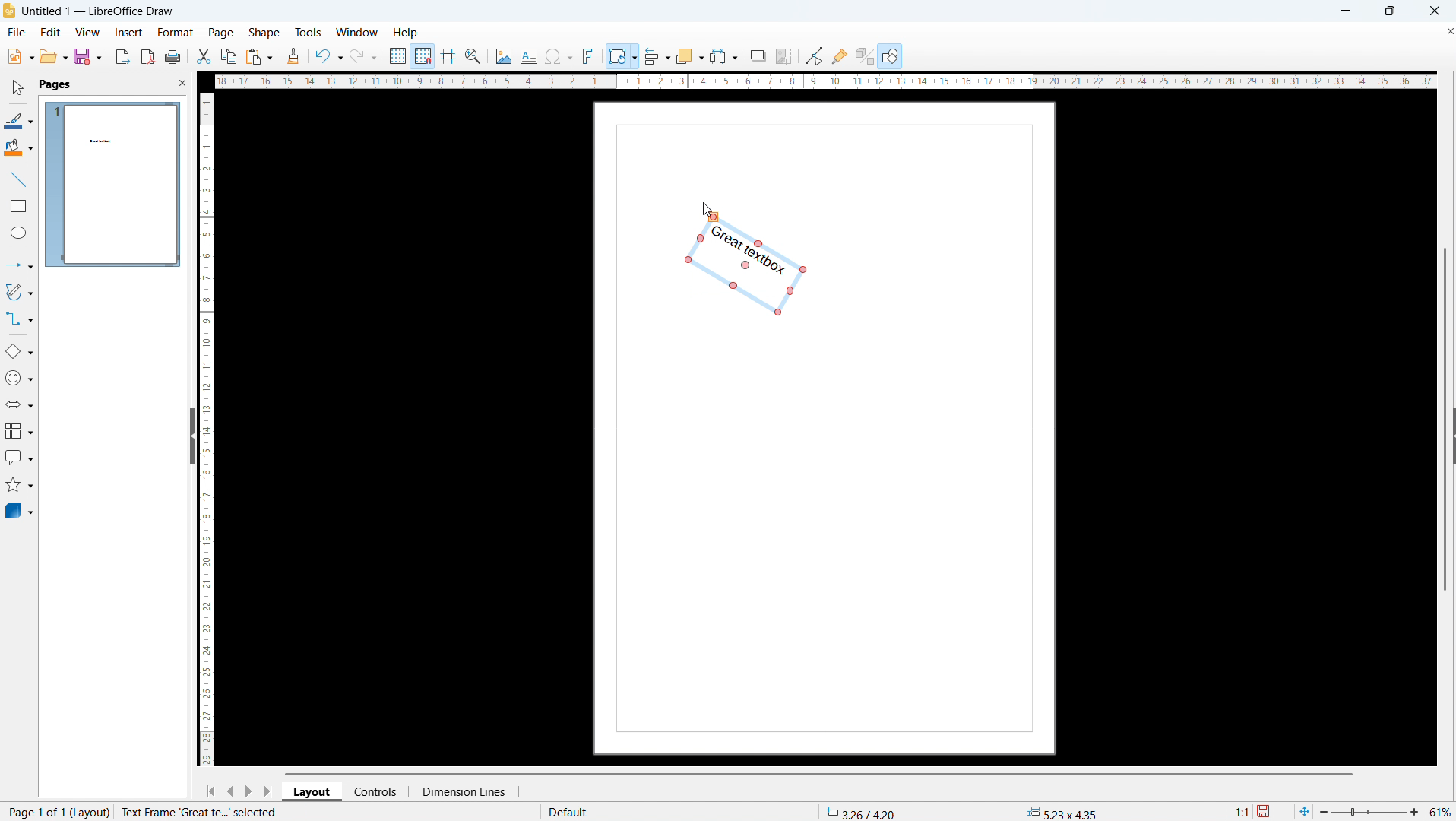 The image size is (1456, 821). Describe the element at coordinates (1388, 11) in the screenshot. I see `Maximise ` at that location.